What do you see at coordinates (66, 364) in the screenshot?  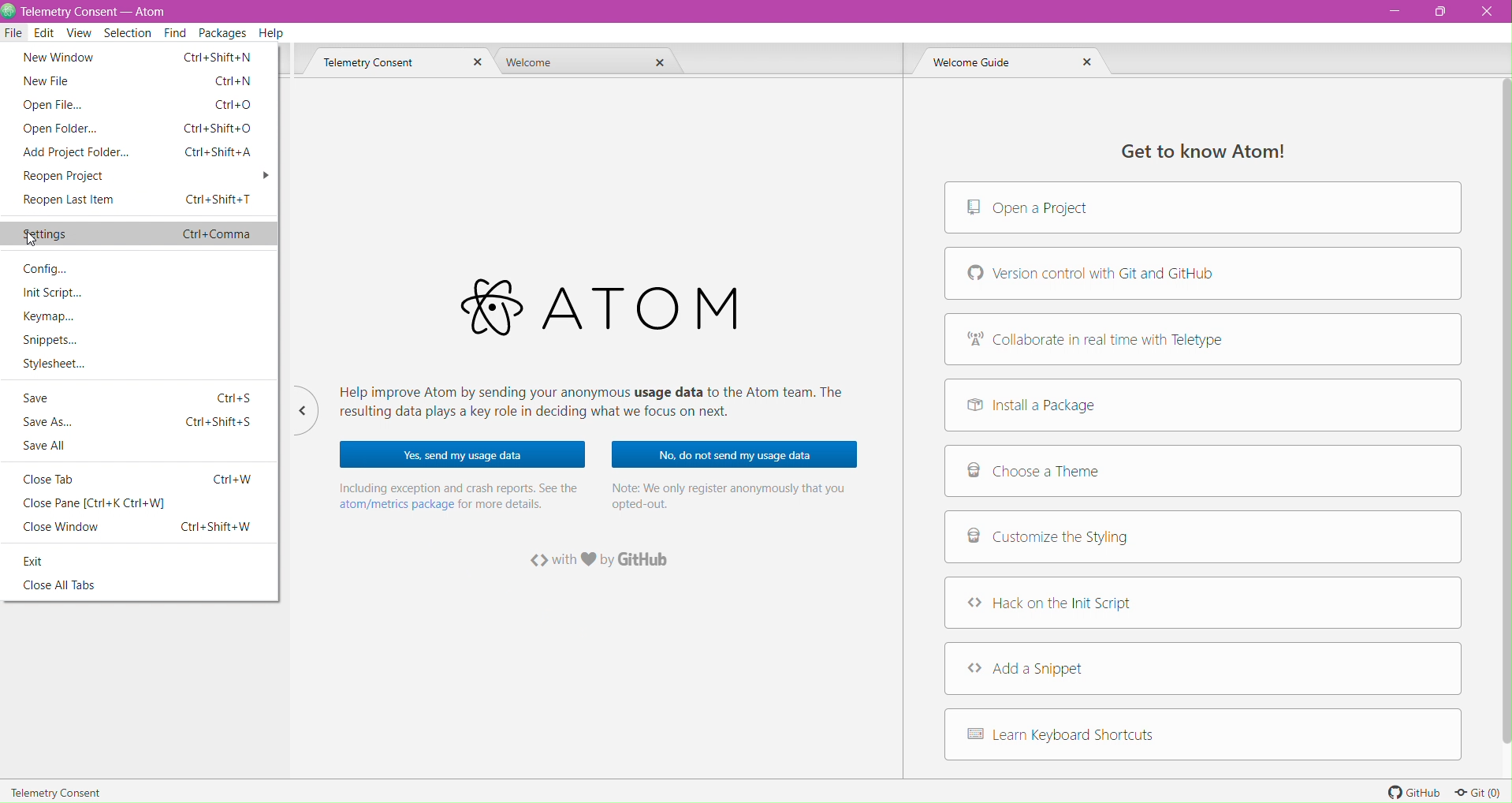 I see `Stylesheet` at bounding box center [66, 364].